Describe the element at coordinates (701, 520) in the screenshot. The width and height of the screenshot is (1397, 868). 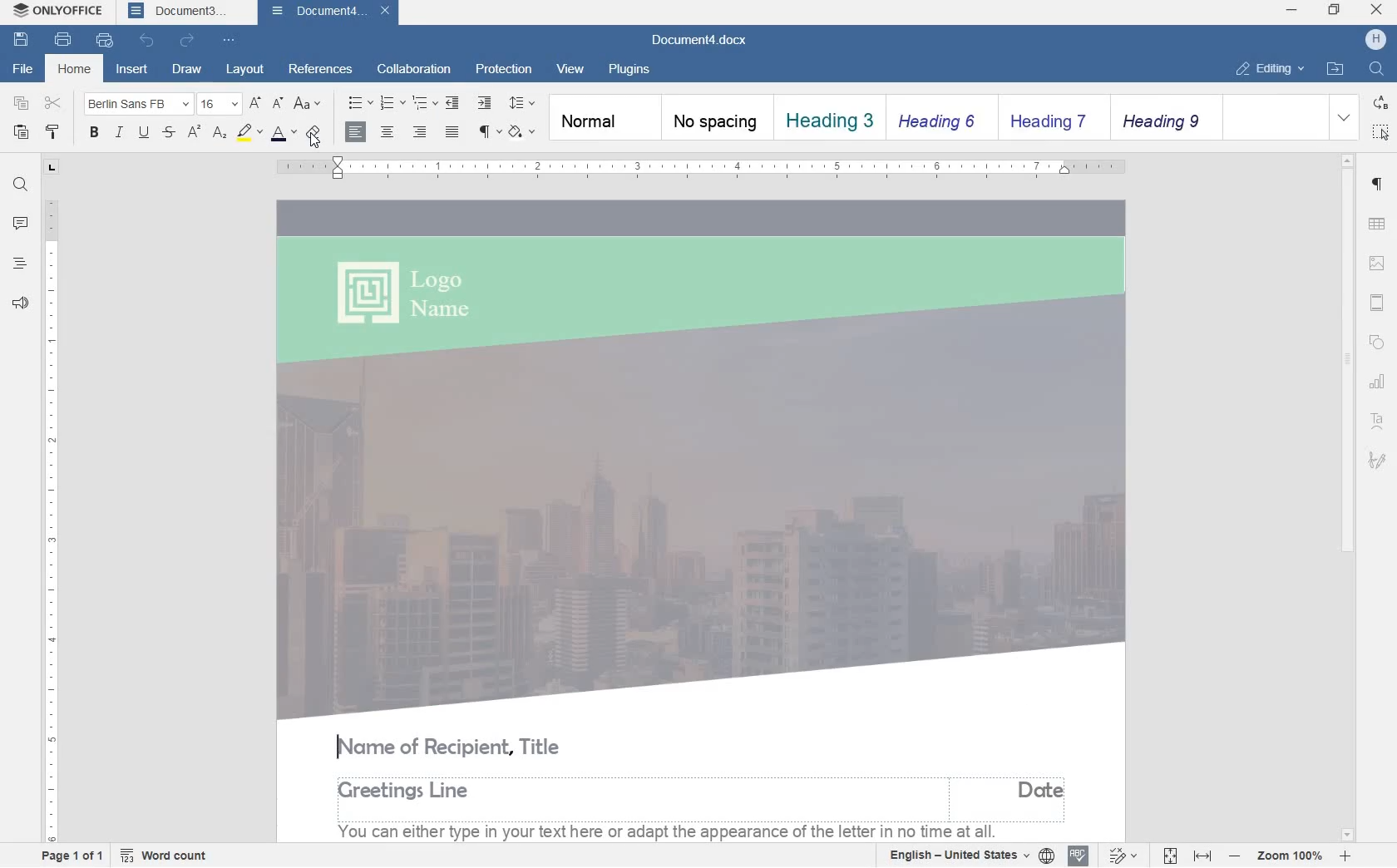
I see `business letter templated added` at that location.